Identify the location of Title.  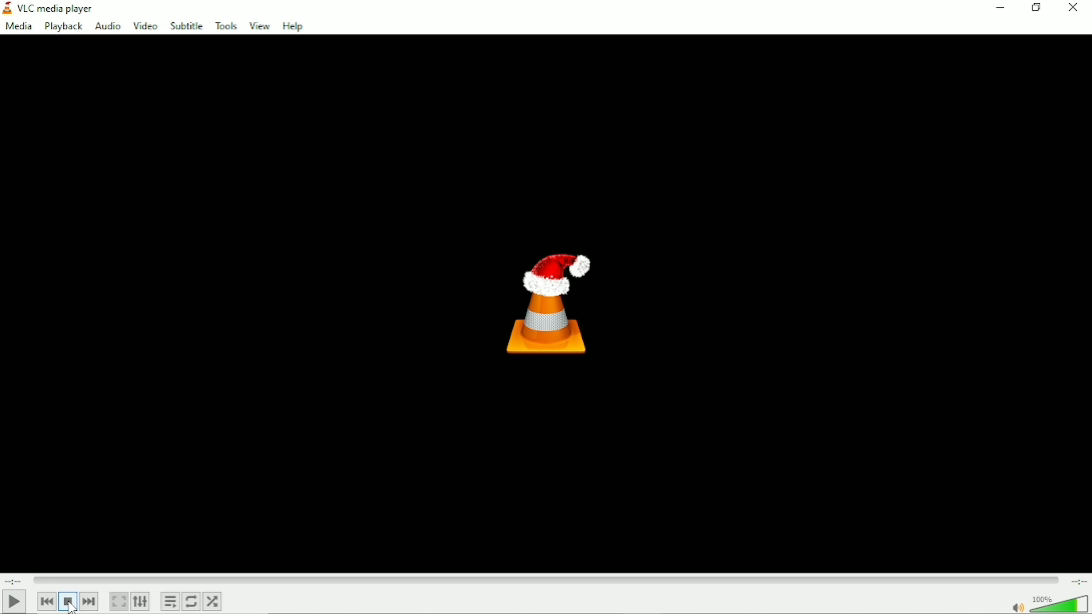
(59, 7).